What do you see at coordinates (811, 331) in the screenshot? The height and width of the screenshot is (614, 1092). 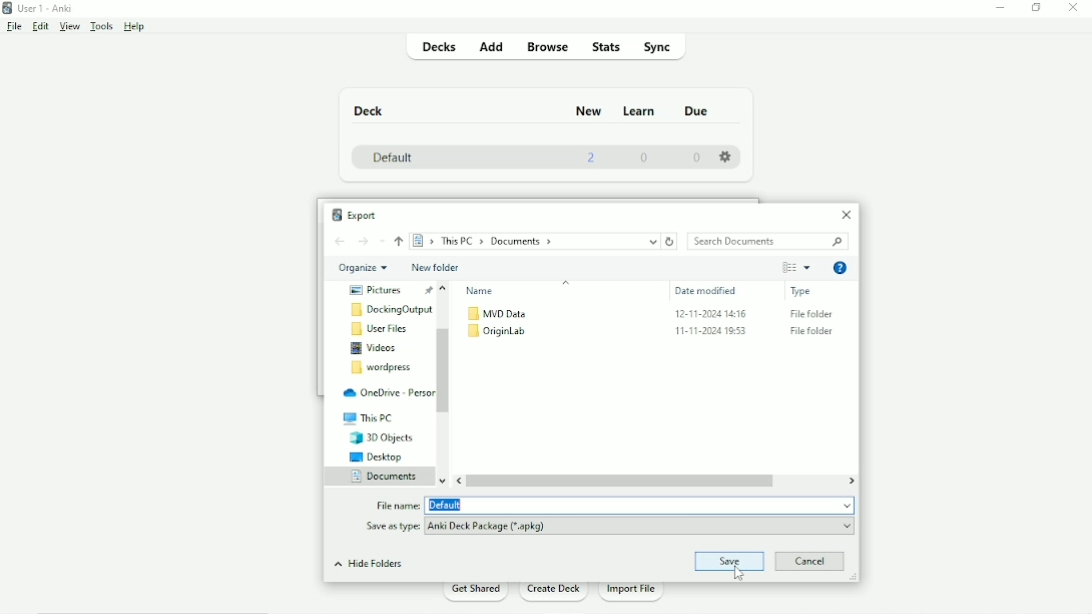 I see `File Folder` at bounding box center [811, 331].